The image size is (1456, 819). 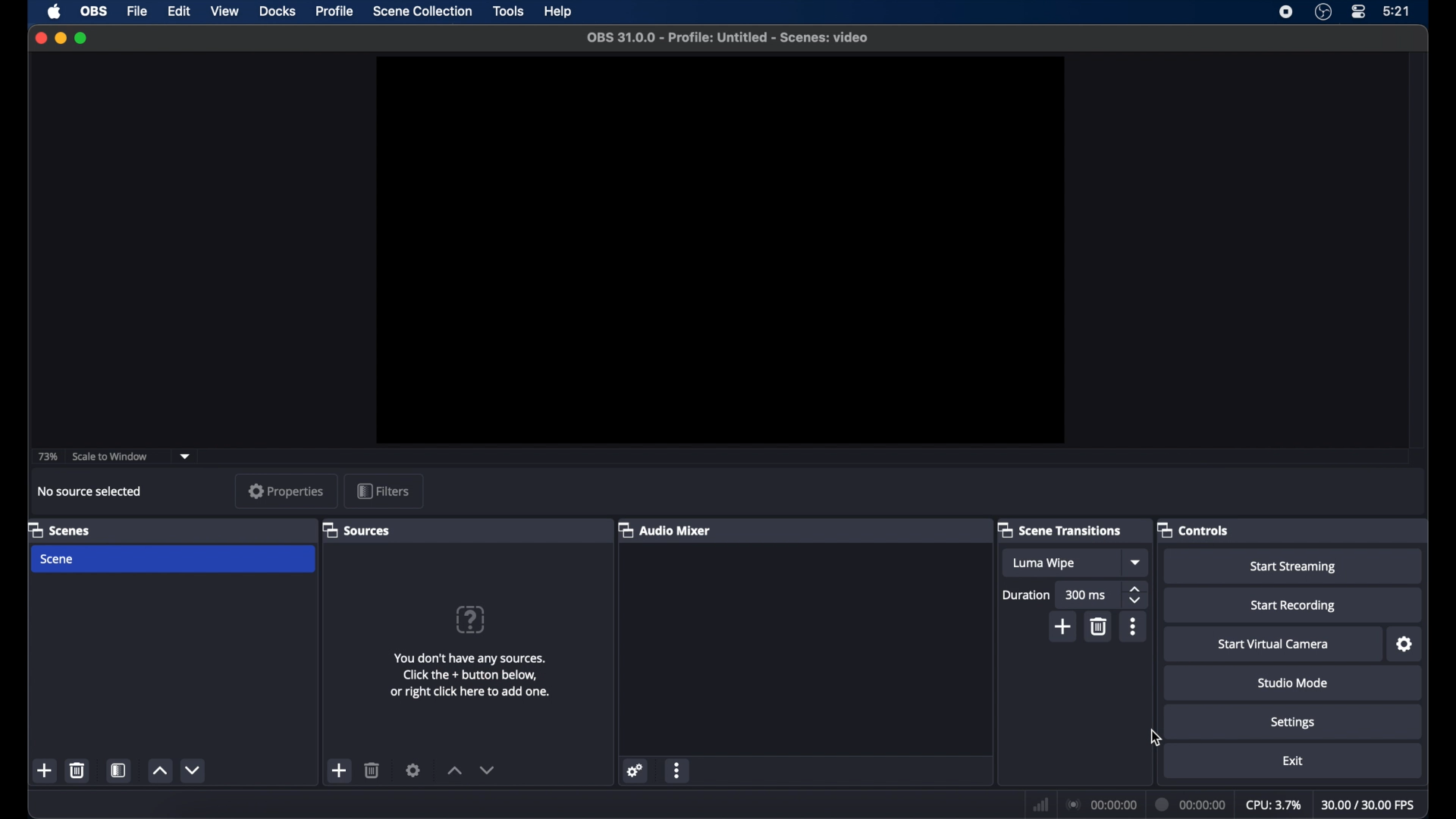 I want to click on duration, so click(x=1192, y=803).